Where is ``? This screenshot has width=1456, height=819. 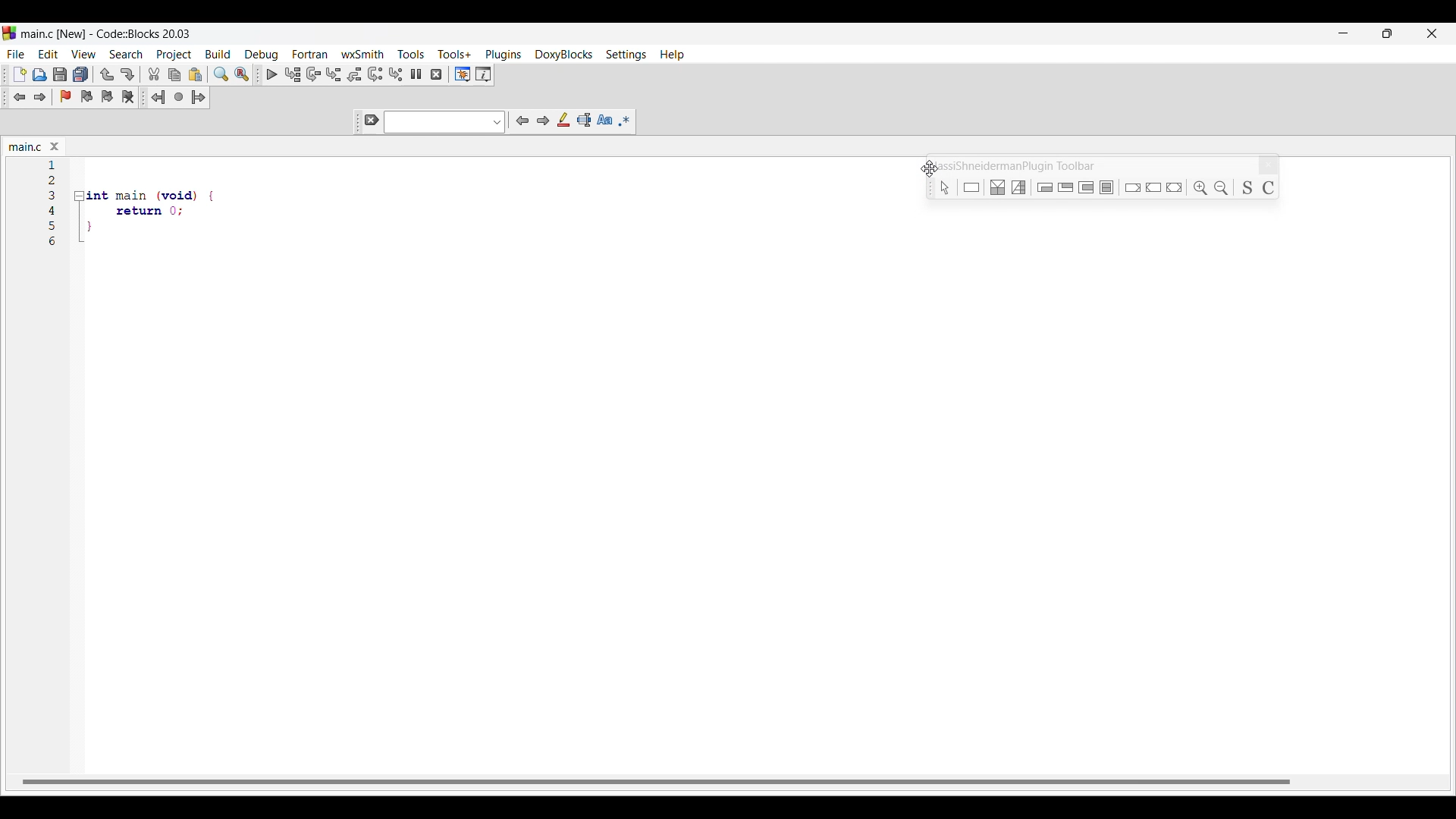
 is located at coordinates (1224, 185).